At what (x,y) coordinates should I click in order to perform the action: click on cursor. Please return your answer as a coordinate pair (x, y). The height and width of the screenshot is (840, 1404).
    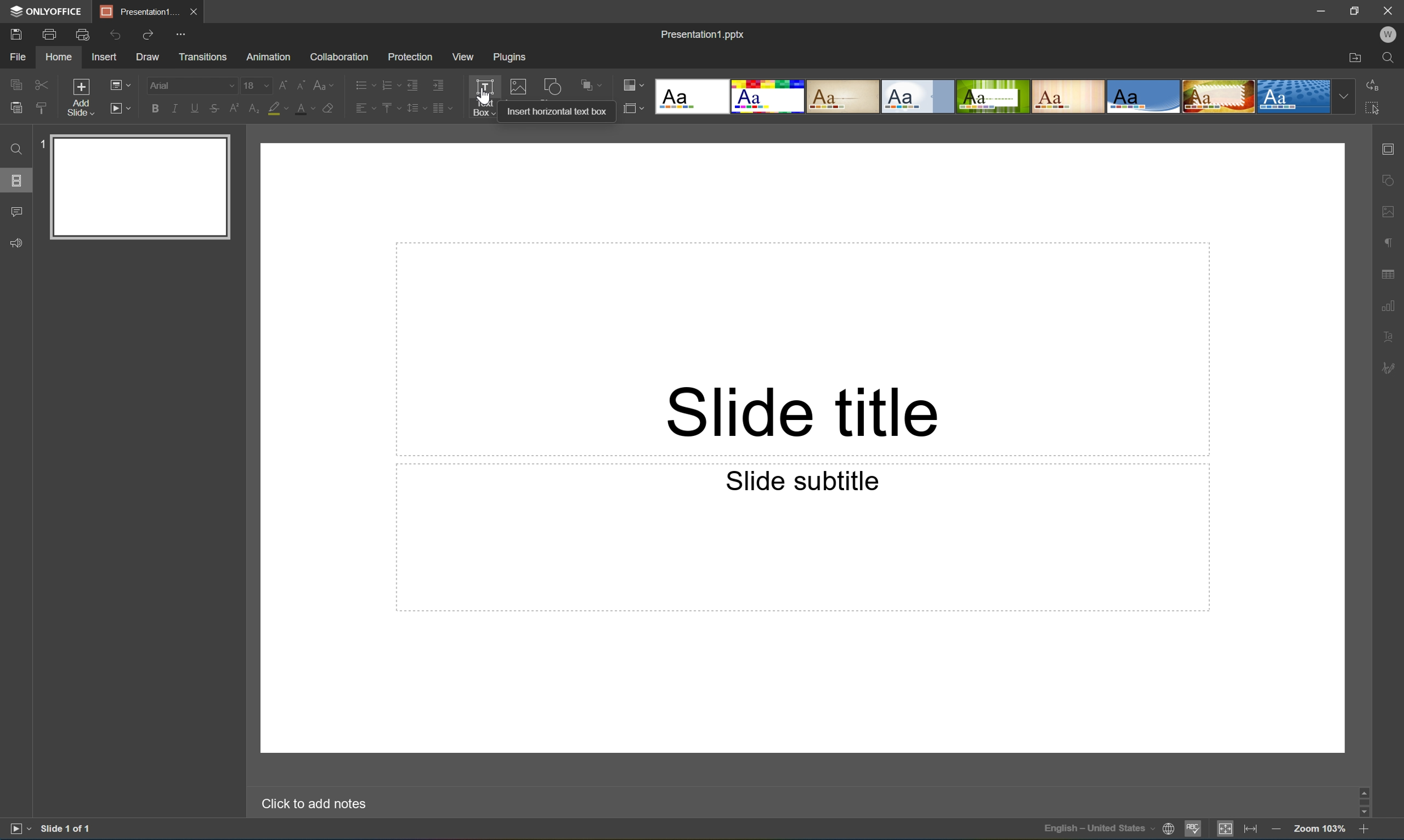
    Looking at the image, I should click on (483, 96).